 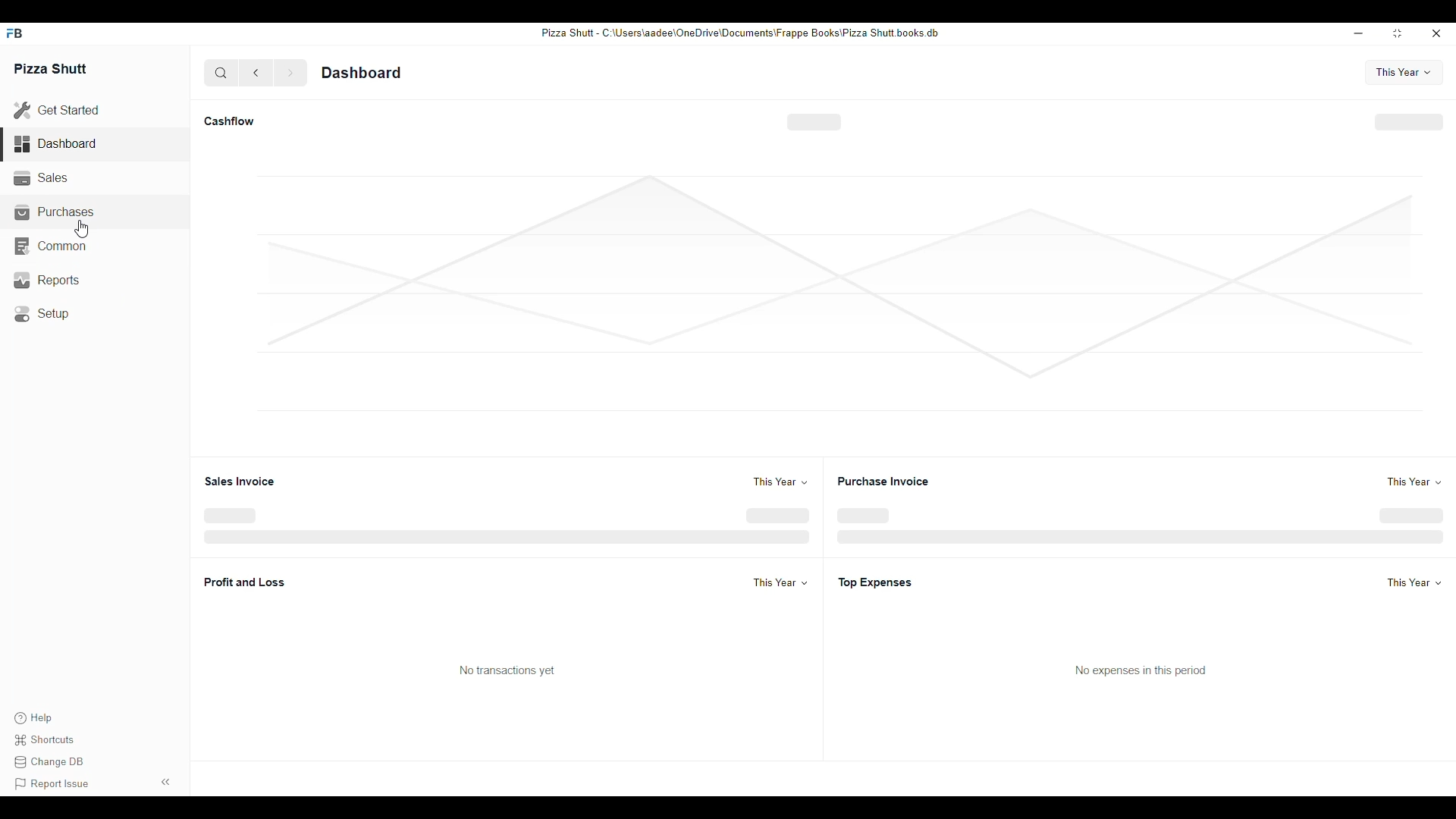 I want to click on Top Expenses, so click(x=876, y=582).